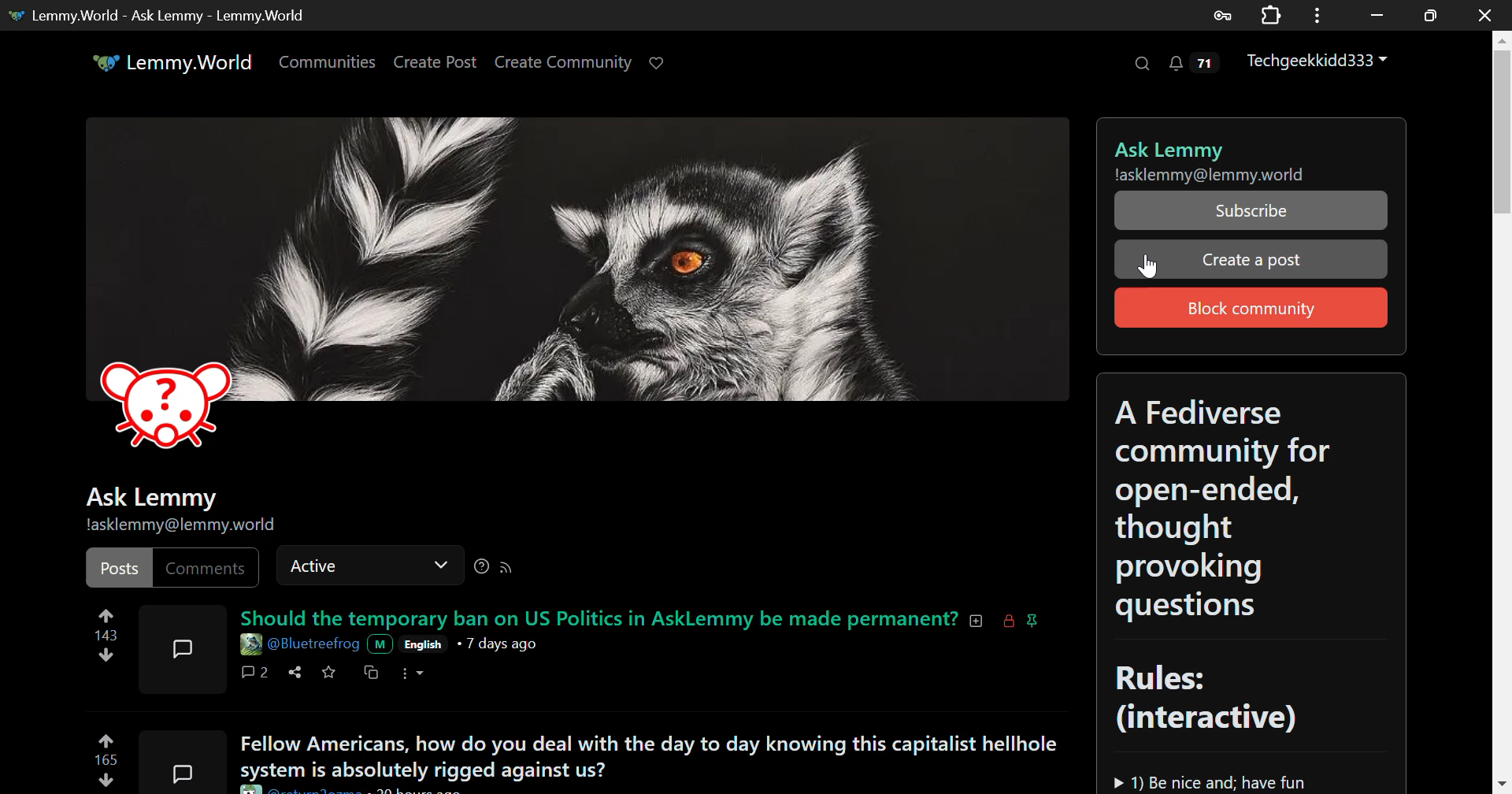  I want to click on Rigged Capitalist System Post, so click(643, 754).